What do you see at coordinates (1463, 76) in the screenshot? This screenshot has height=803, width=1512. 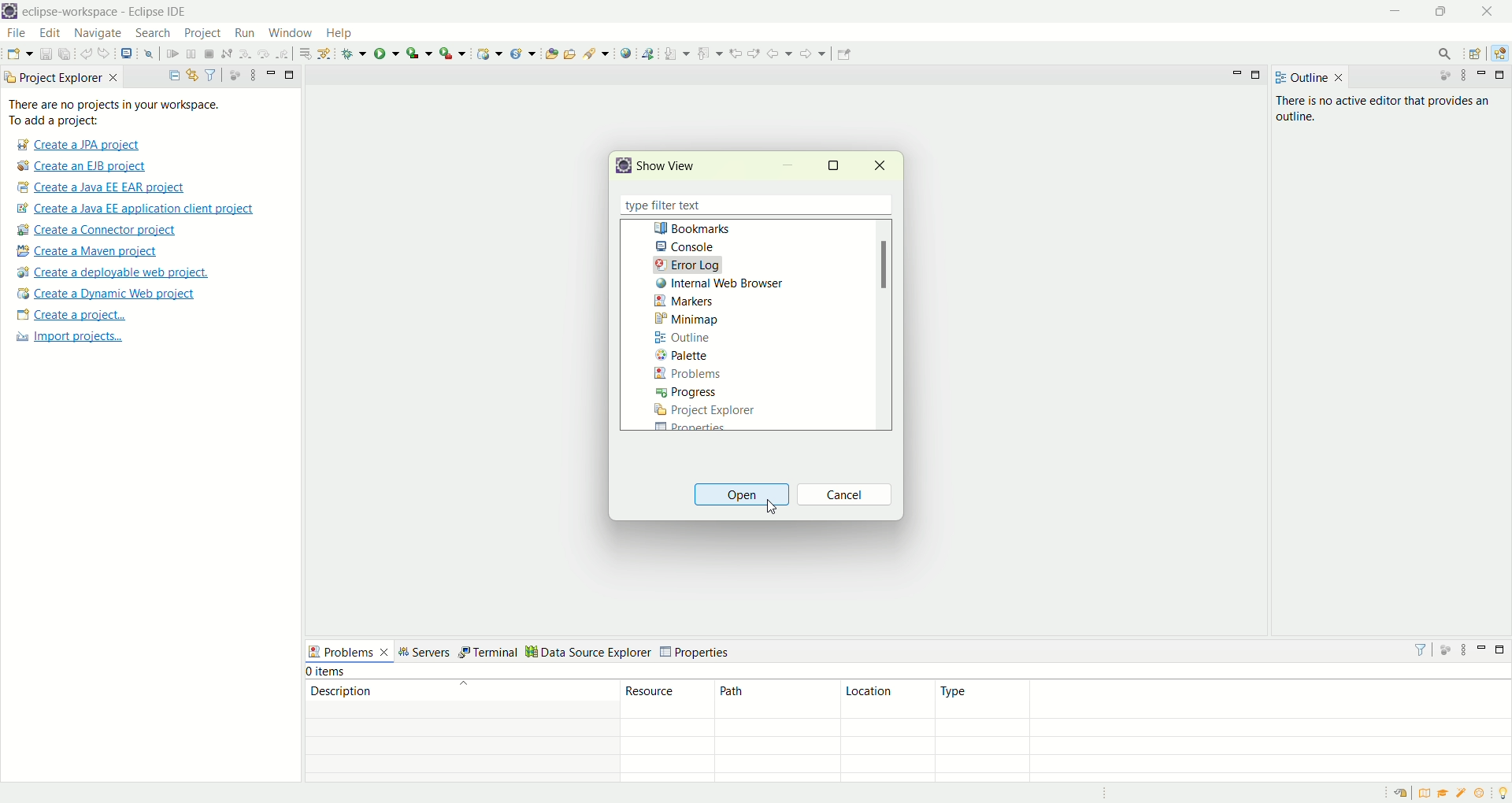 I see `view menu` at bounding box center [1463, 76].